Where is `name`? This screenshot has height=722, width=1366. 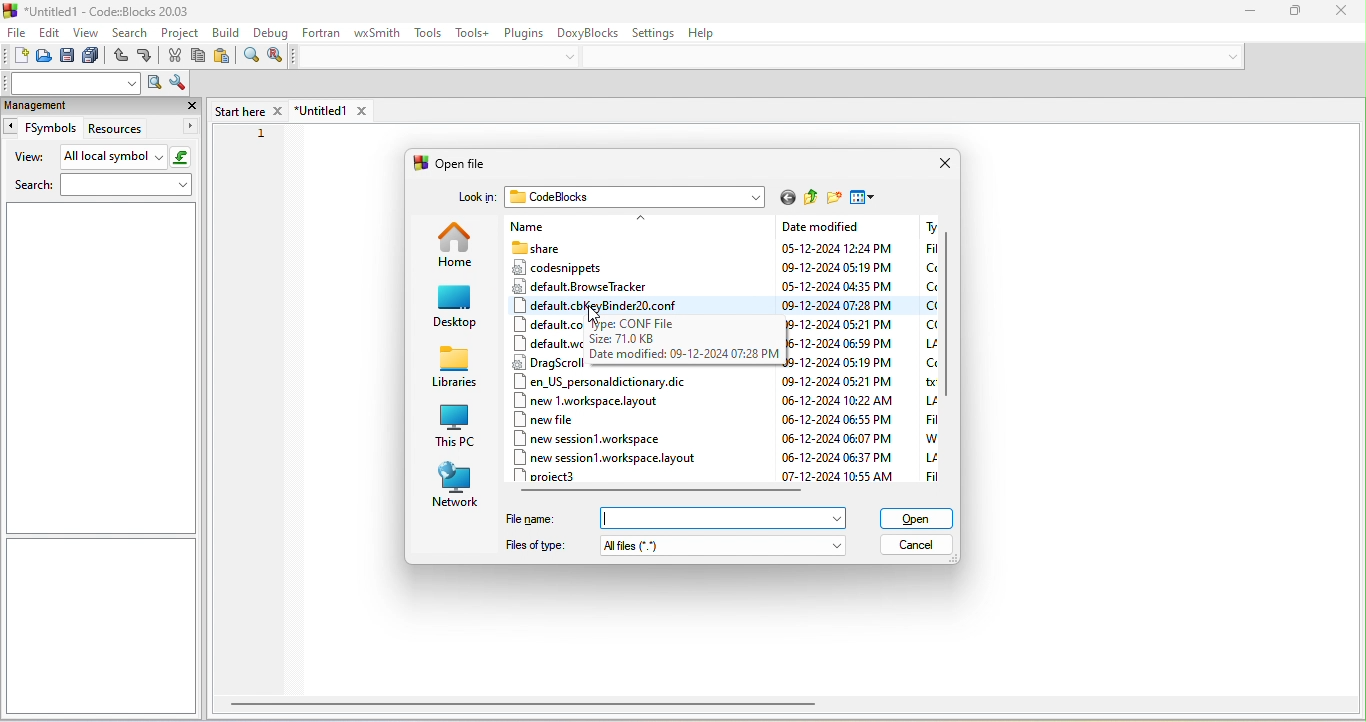 name is located at coordinates (578, 225).